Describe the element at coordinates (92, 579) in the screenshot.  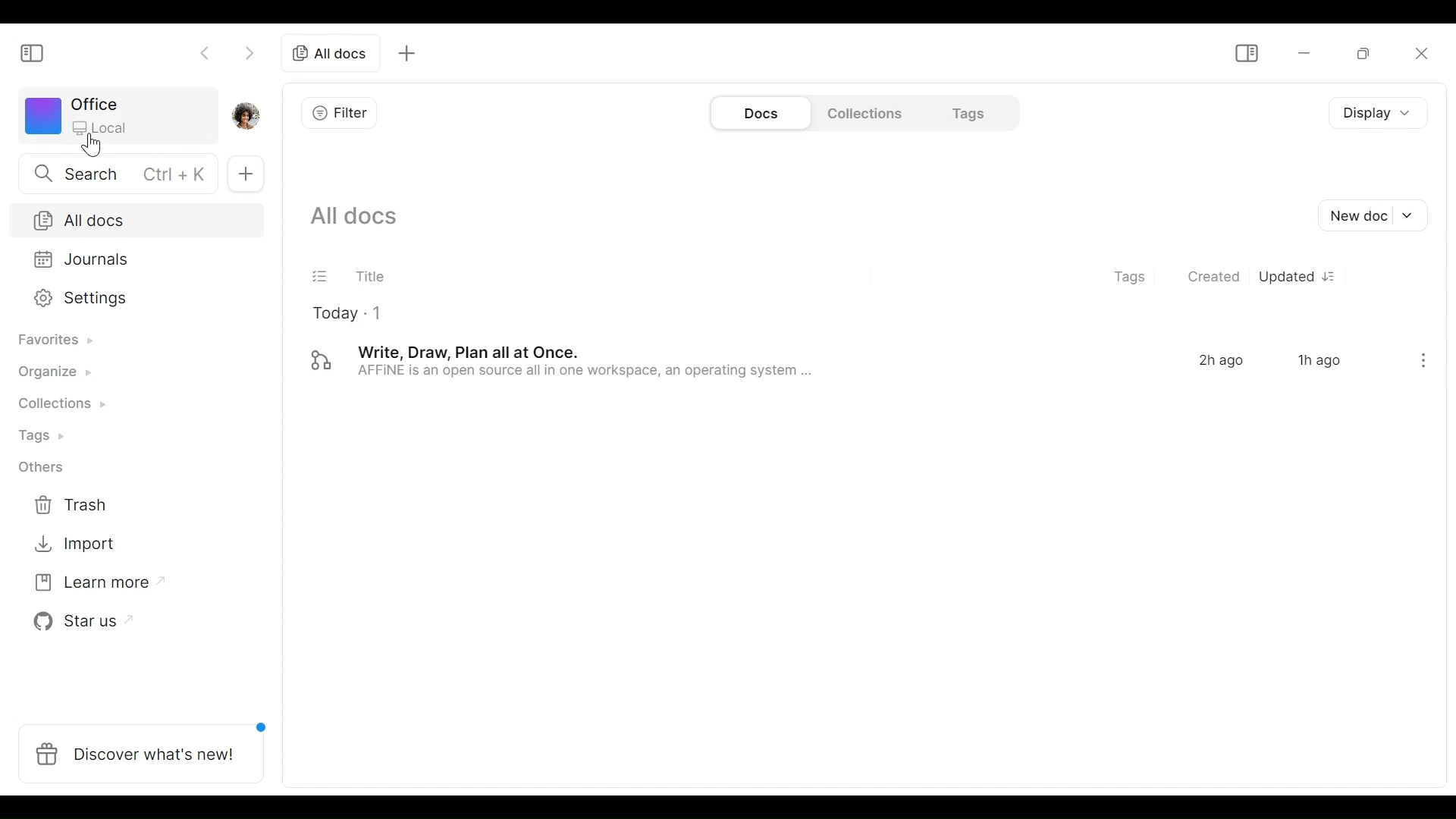
I see `Learn more` at that location.